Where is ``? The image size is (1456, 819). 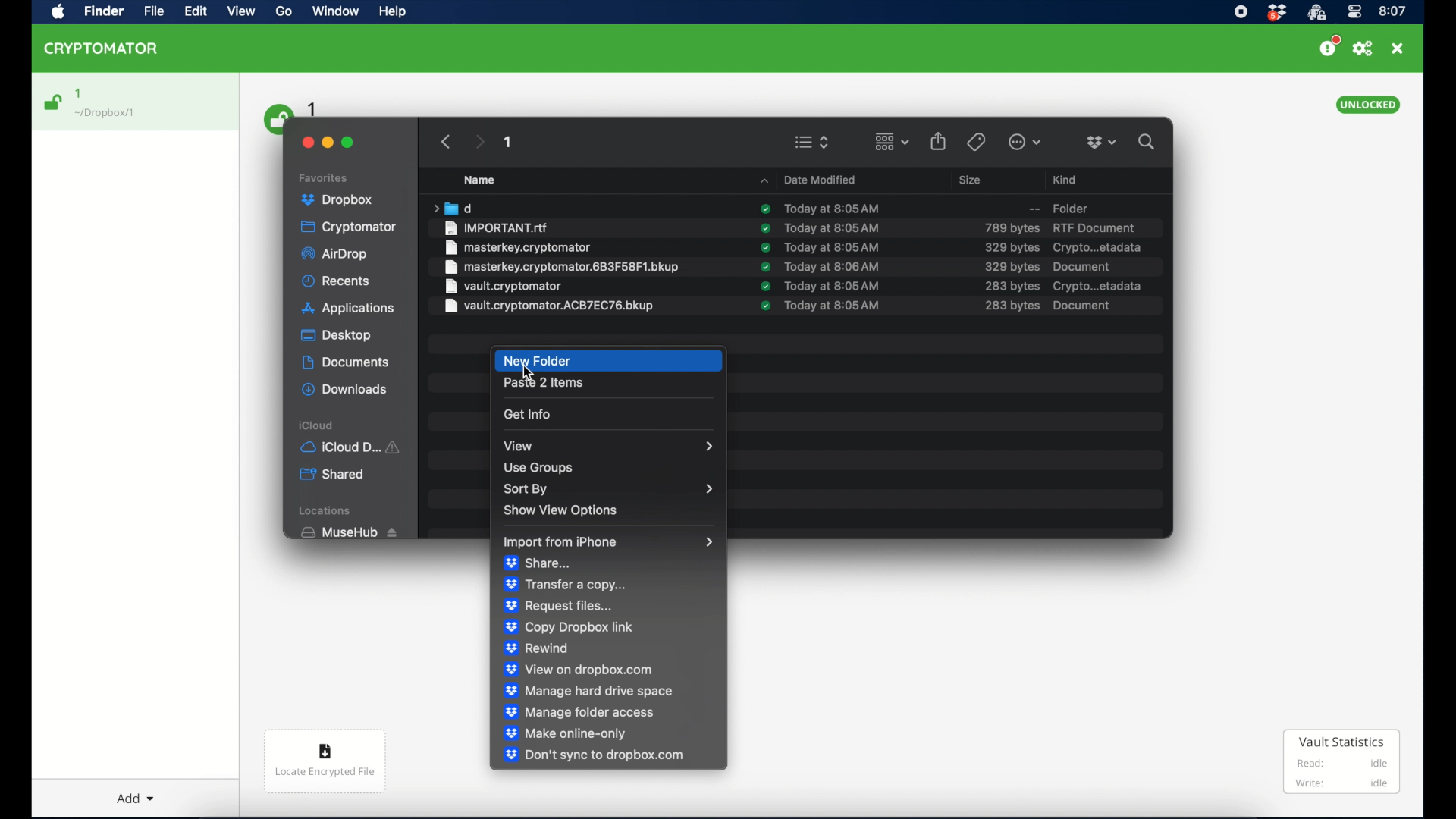
 is located at coordinates (765, 266).